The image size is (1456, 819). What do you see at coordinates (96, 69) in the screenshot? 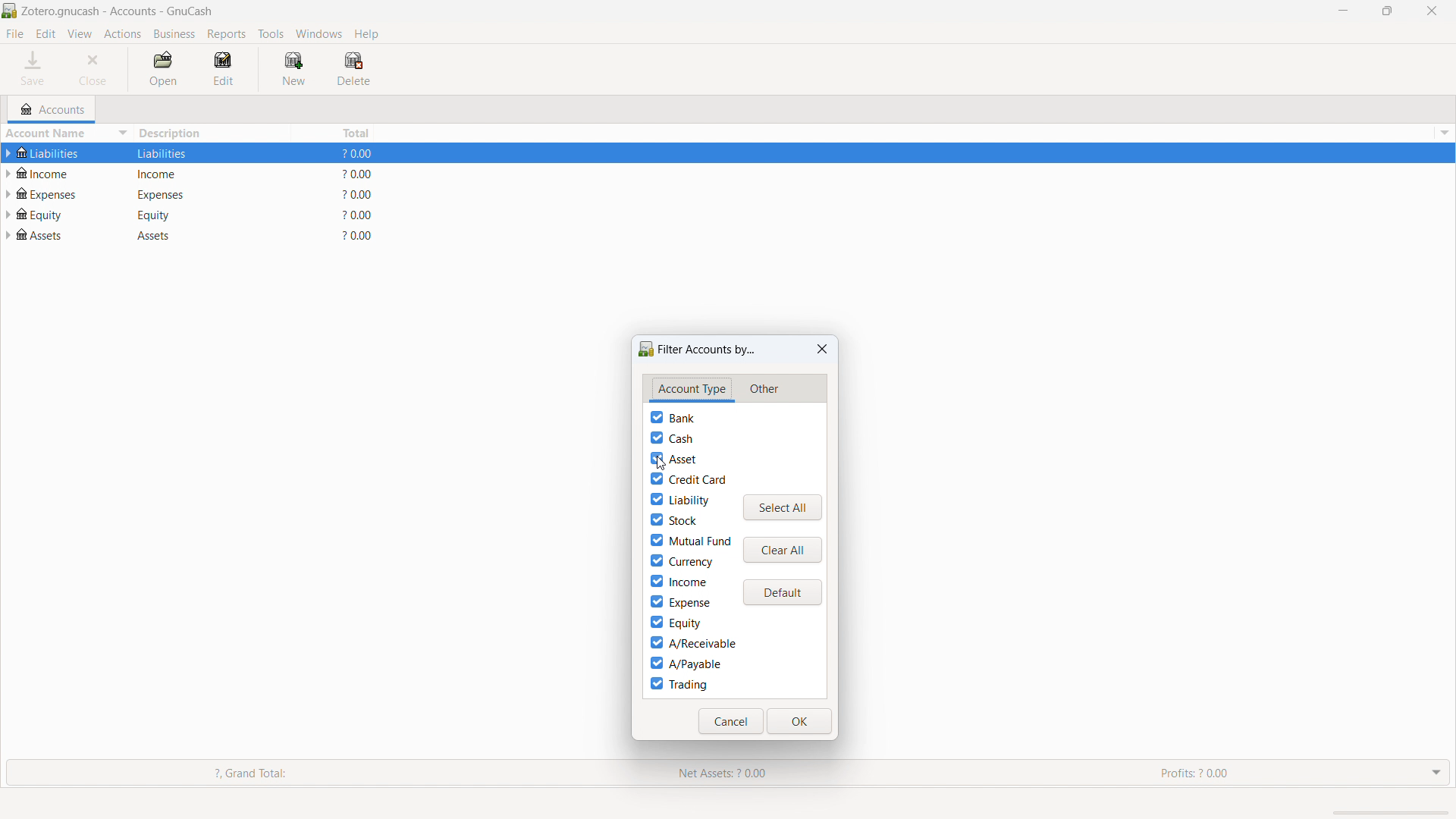
I see `close` at bounding box center [96, 69].